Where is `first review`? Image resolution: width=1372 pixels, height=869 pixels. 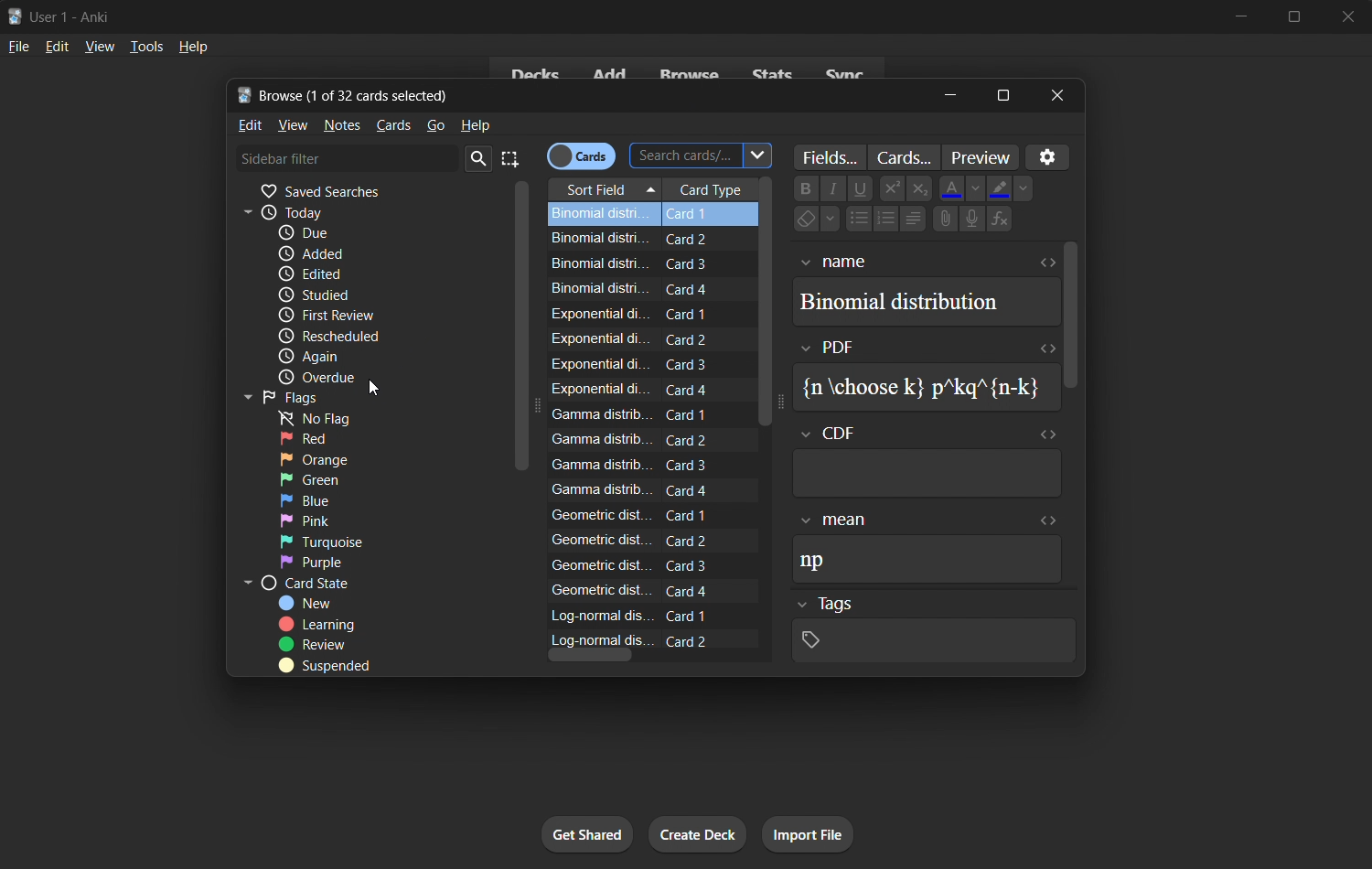
first review is located at coordinates (343, 317).